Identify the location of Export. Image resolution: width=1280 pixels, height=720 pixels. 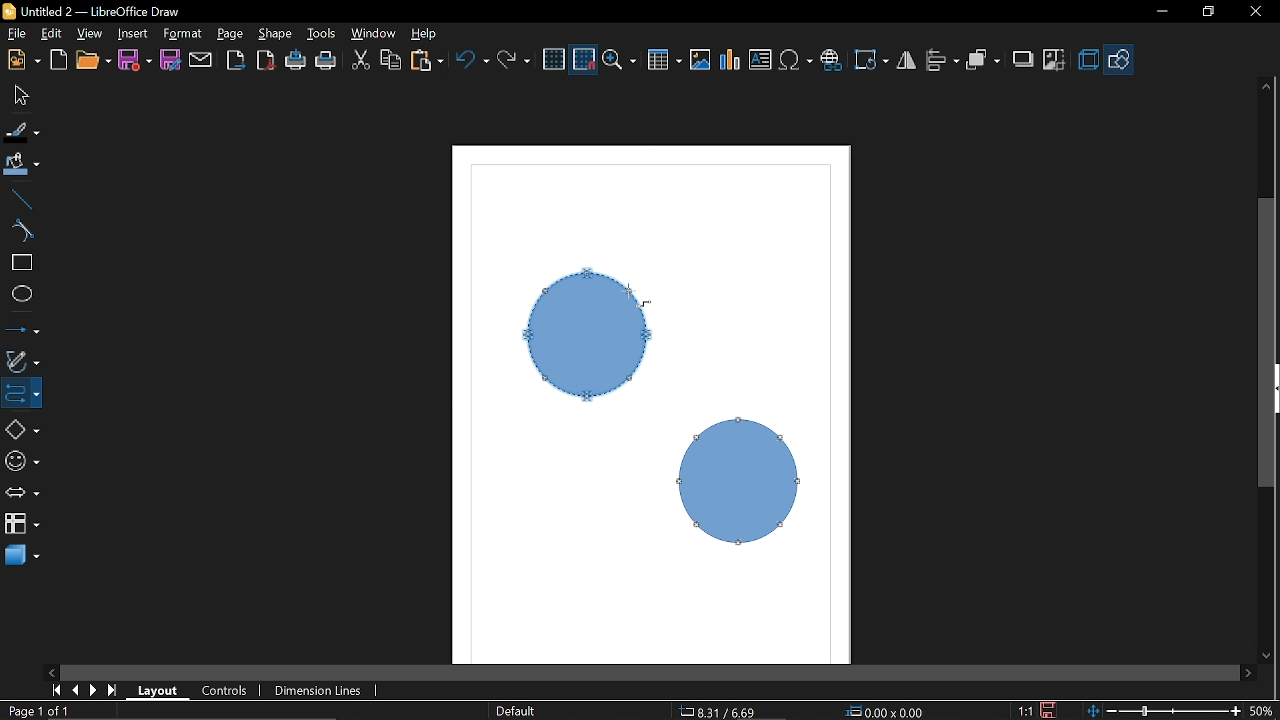
(237, 60).